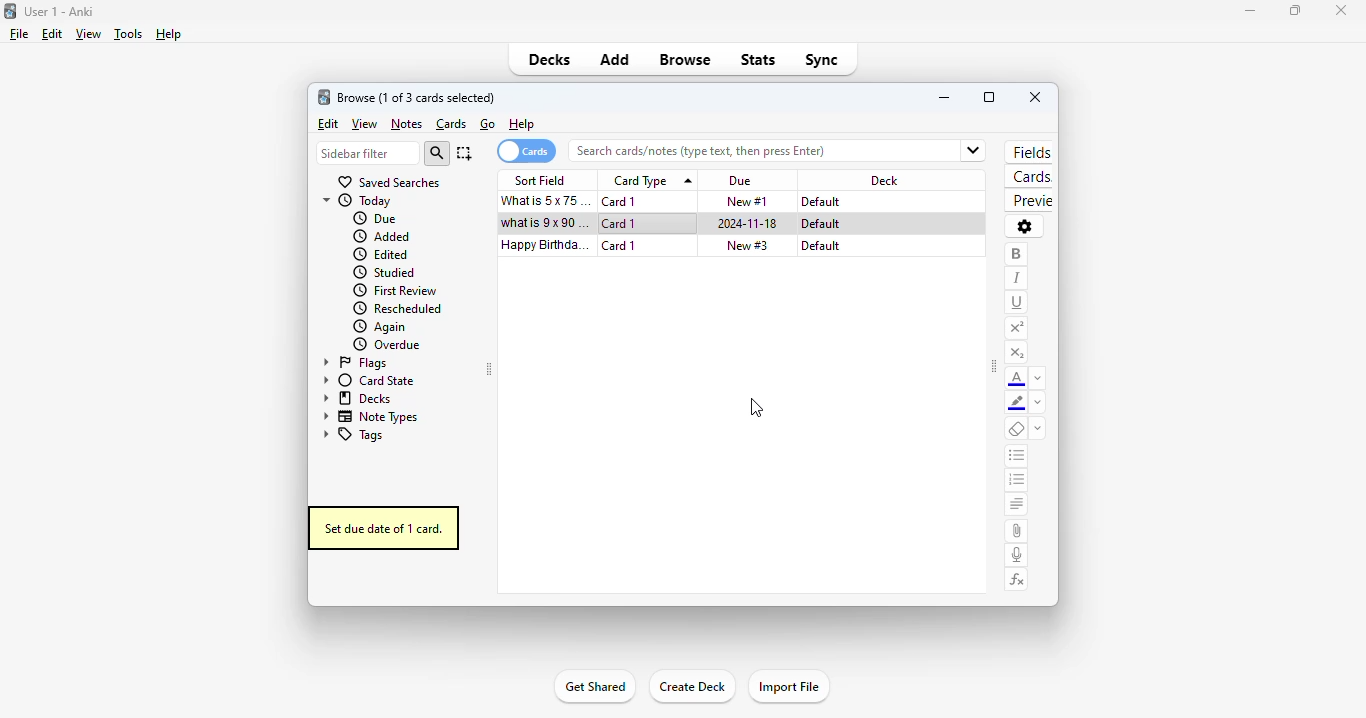  I want to click on note types, so click(368, 417).